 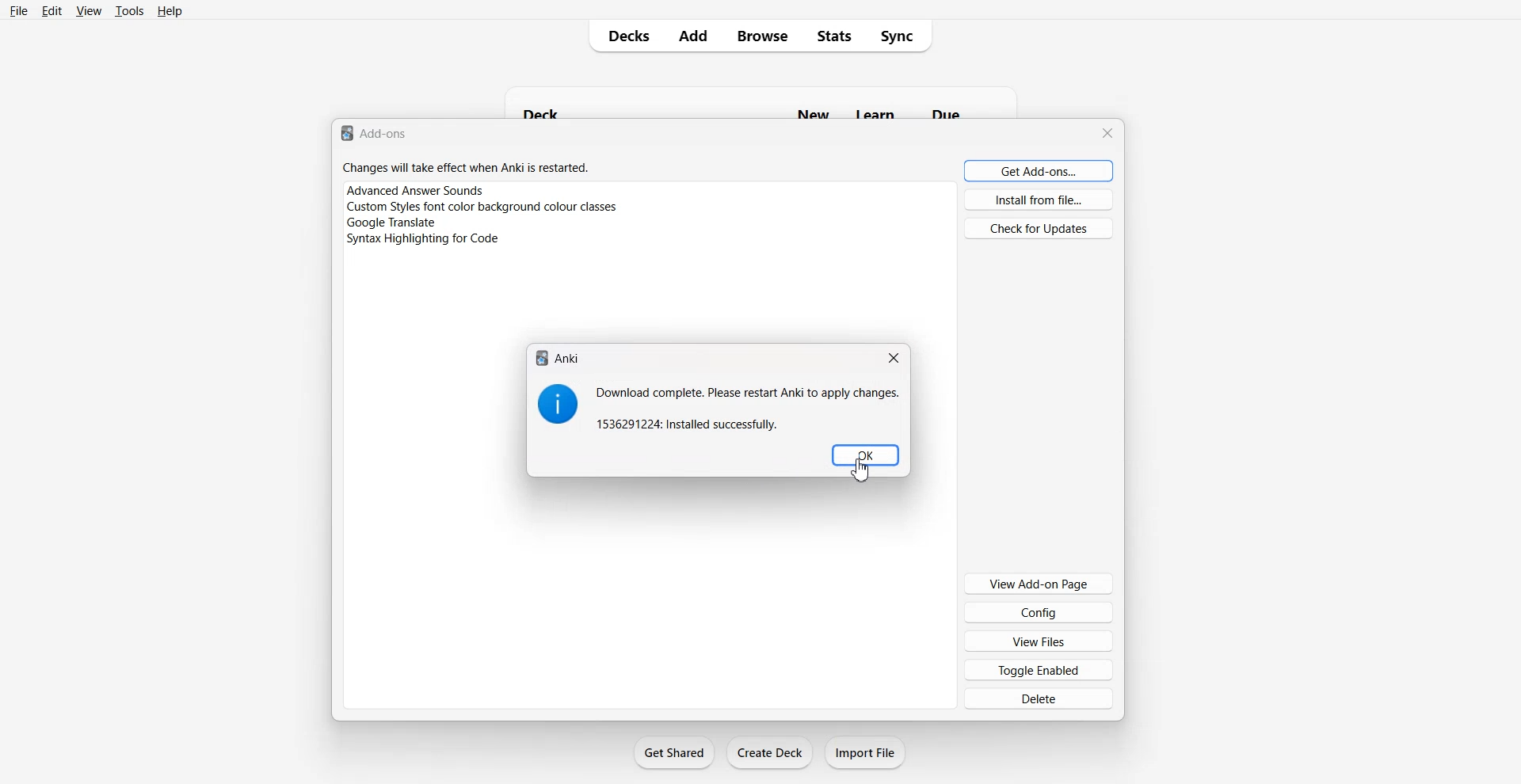 What do you see at coordinates (866, 752) in the screenshot?
I see `Import File` at bounding box center [866, 752].